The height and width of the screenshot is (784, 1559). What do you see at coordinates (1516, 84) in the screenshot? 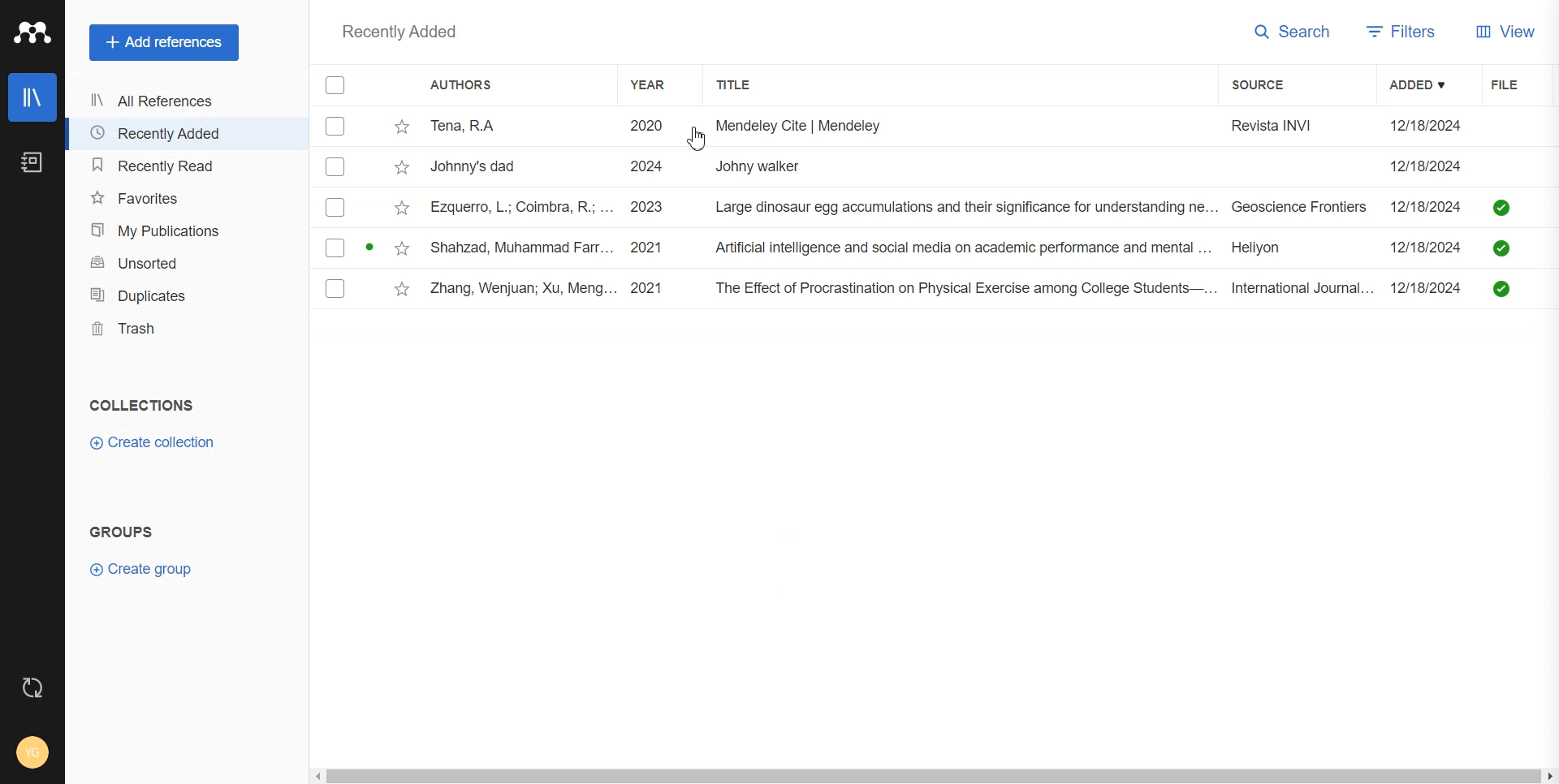
I see `File` at bounding box center [1516, 84].